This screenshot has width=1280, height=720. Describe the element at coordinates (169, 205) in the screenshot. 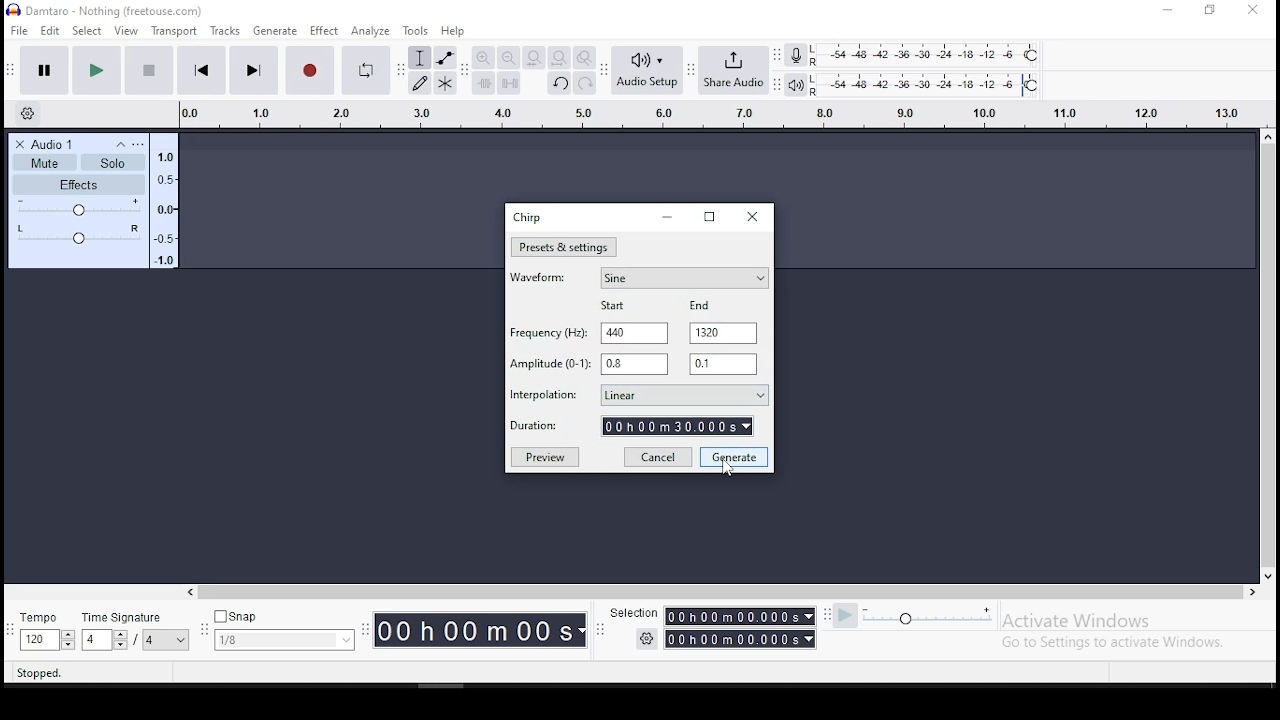

I see `scale` at that location.